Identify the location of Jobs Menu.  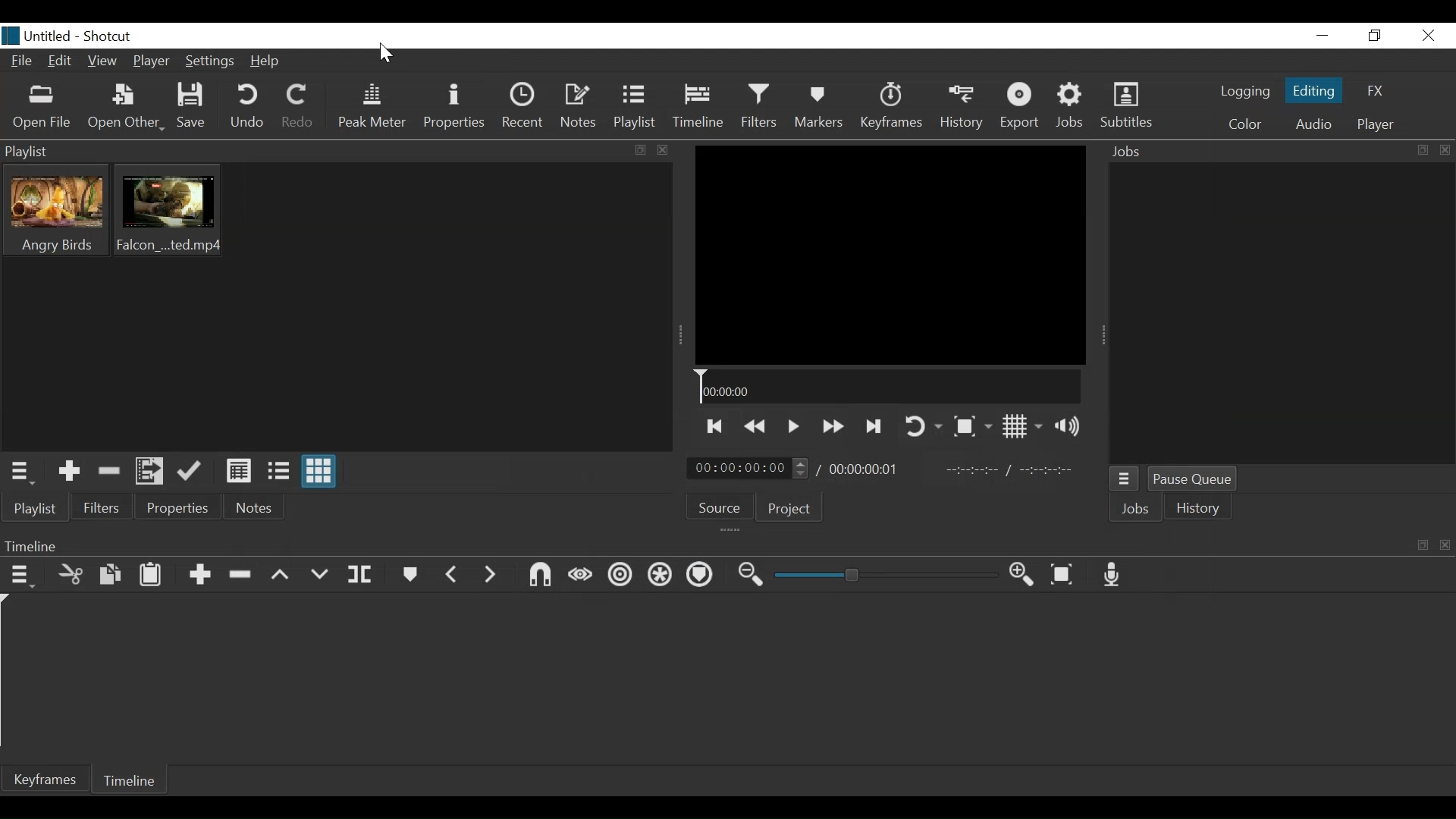
(1126, 481).